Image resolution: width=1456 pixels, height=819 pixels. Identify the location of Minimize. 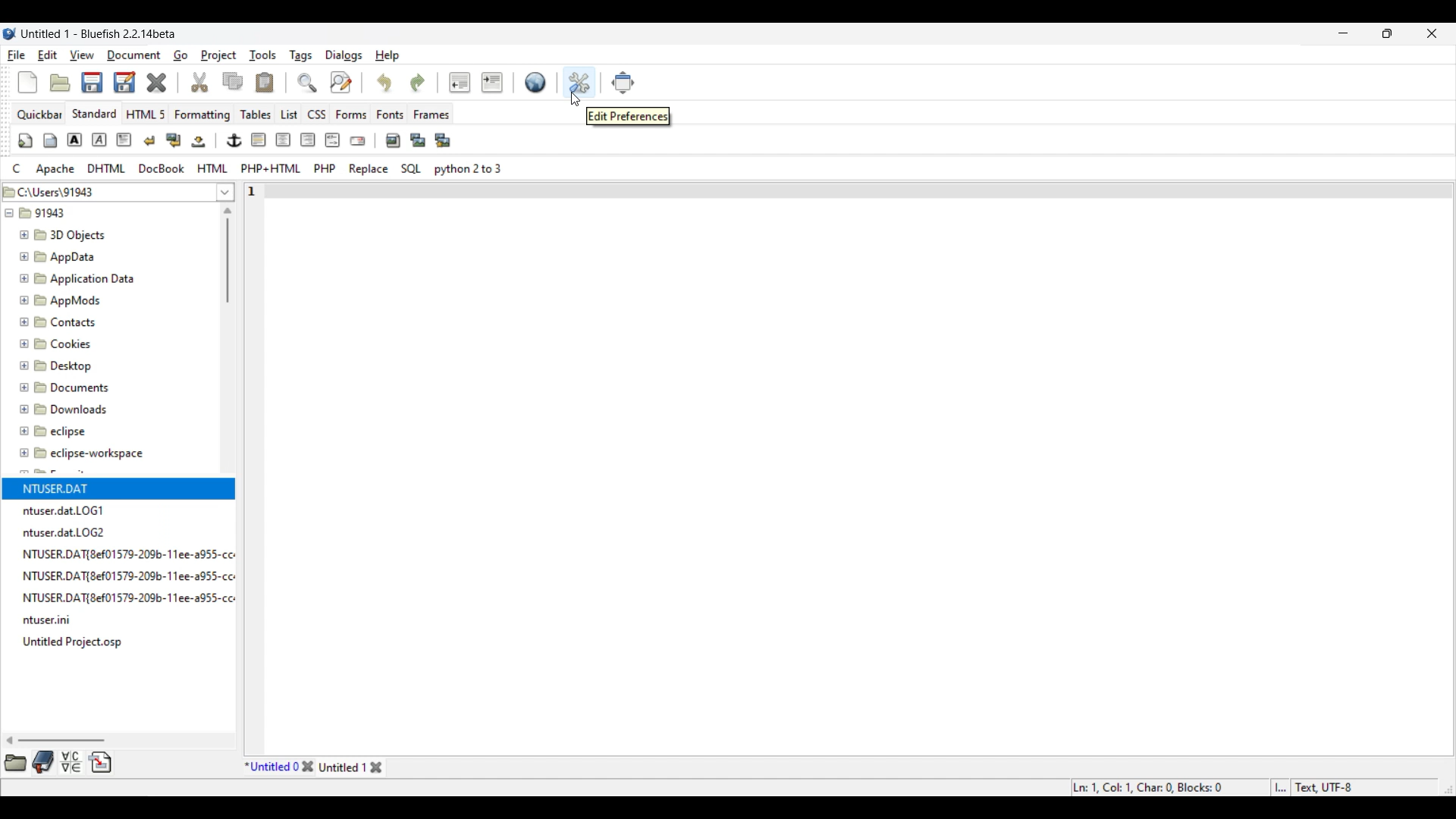
(1344, 33).